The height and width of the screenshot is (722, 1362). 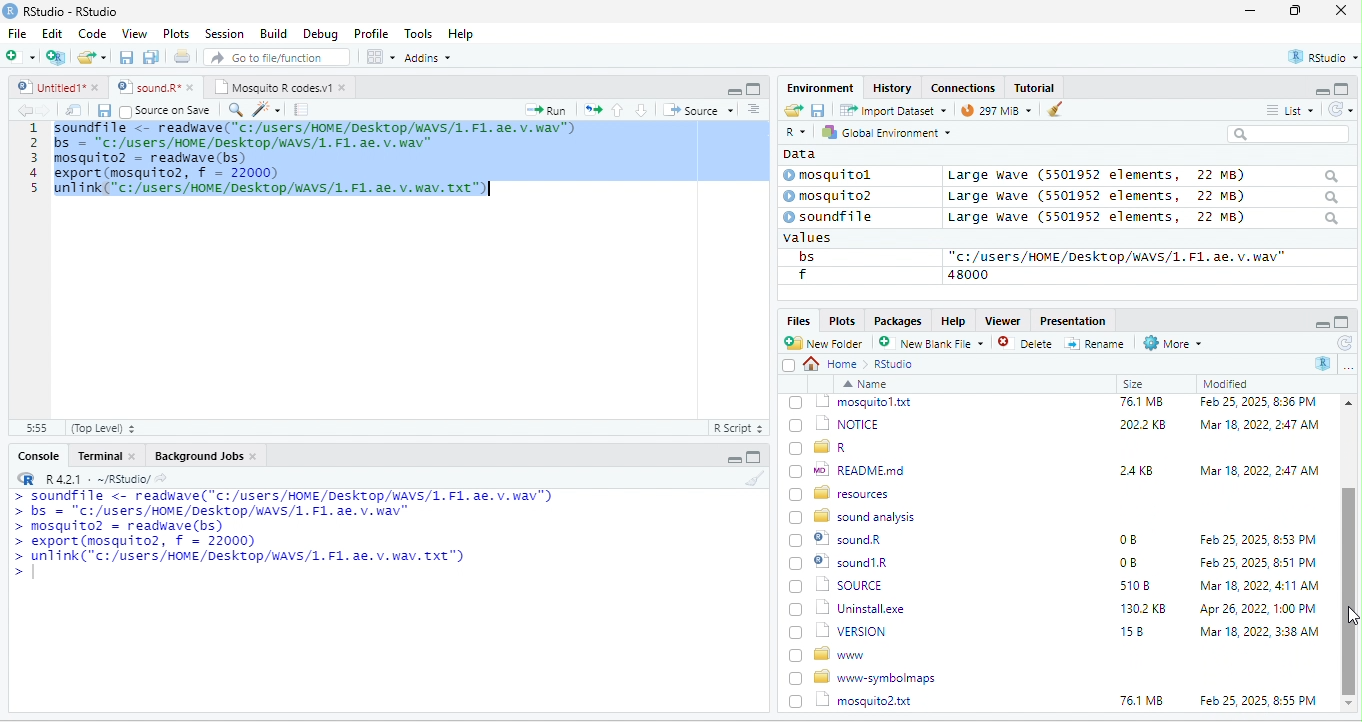 I want to click on Session, so click(x=225, y=32).